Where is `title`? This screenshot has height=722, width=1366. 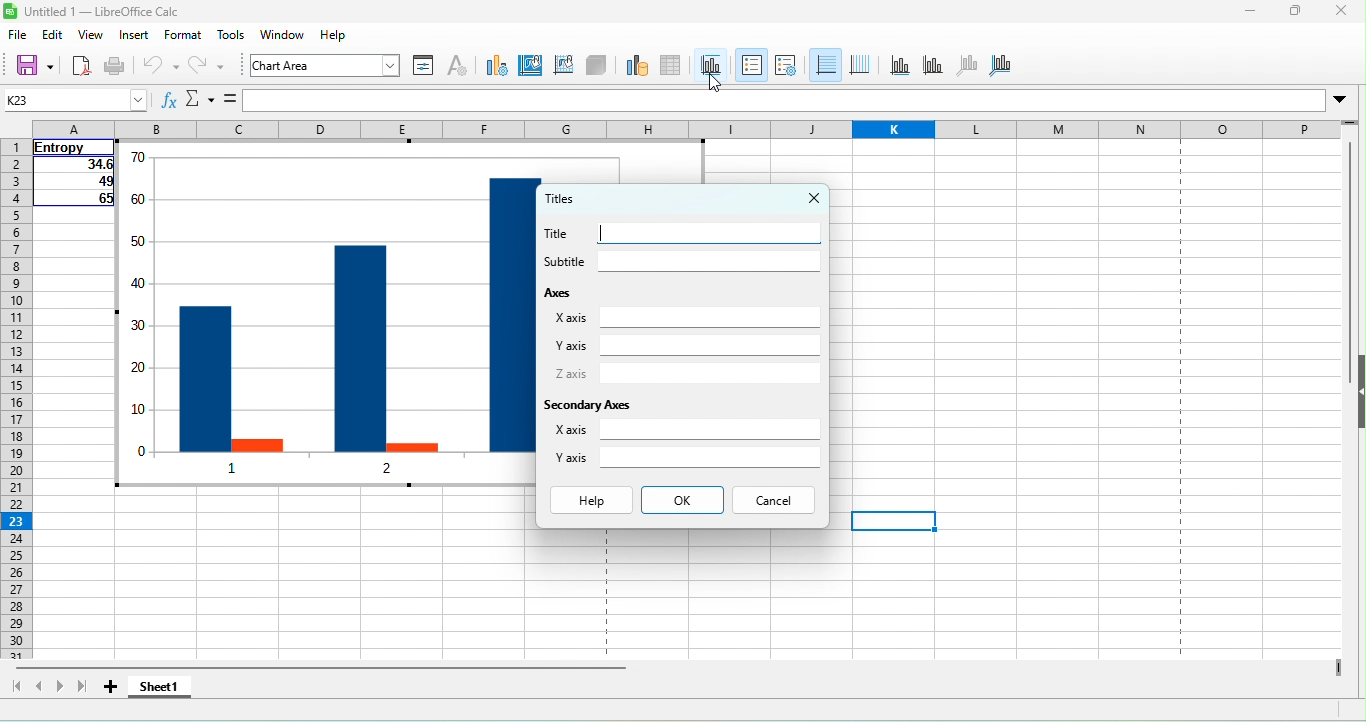
title is located at coordinates (679, 232).